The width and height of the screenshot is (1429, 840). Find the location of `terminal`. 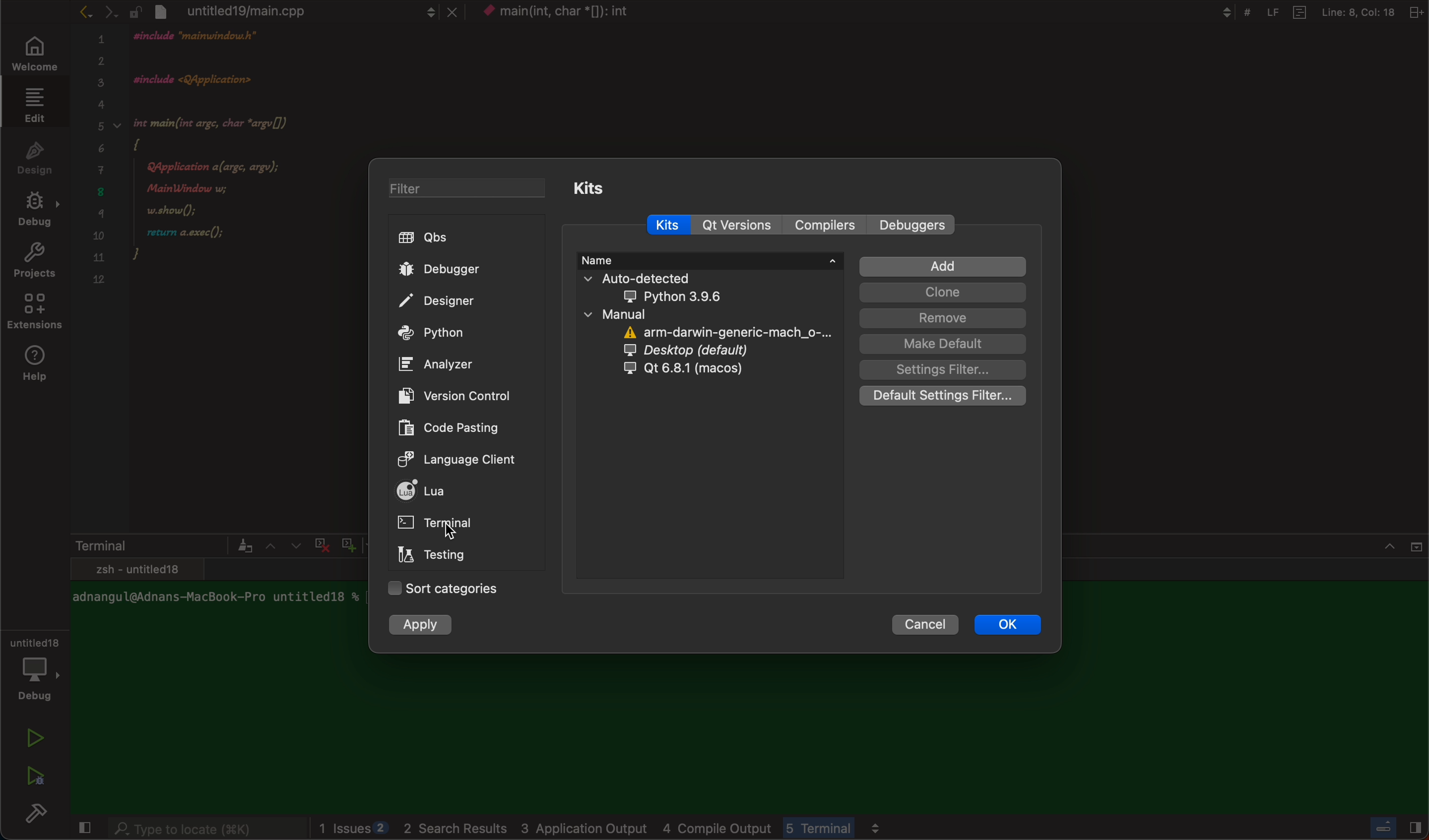

terminal is located at coordinates (161, 545).